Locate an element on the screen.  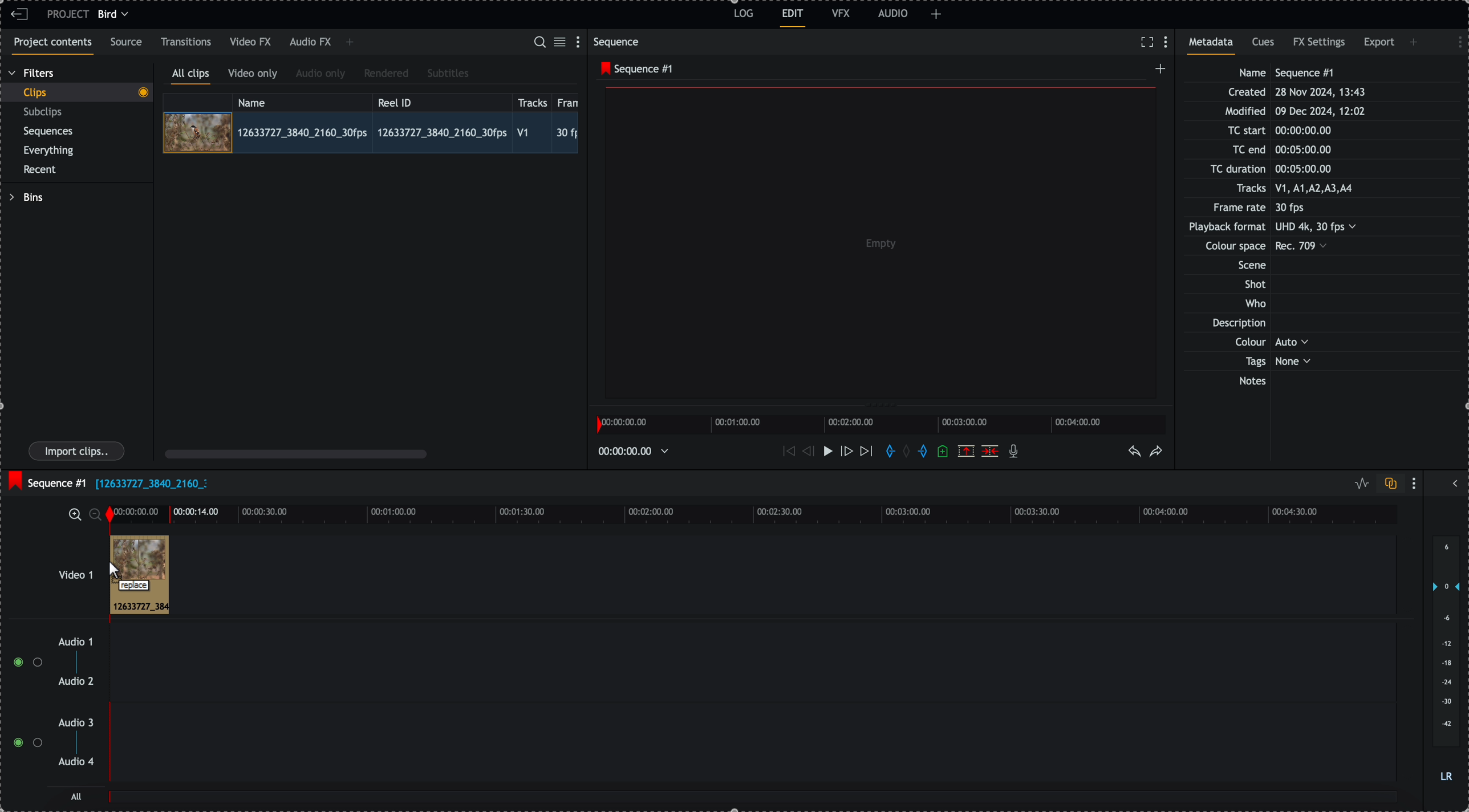
zoom in is located at coordinates (74, 514).